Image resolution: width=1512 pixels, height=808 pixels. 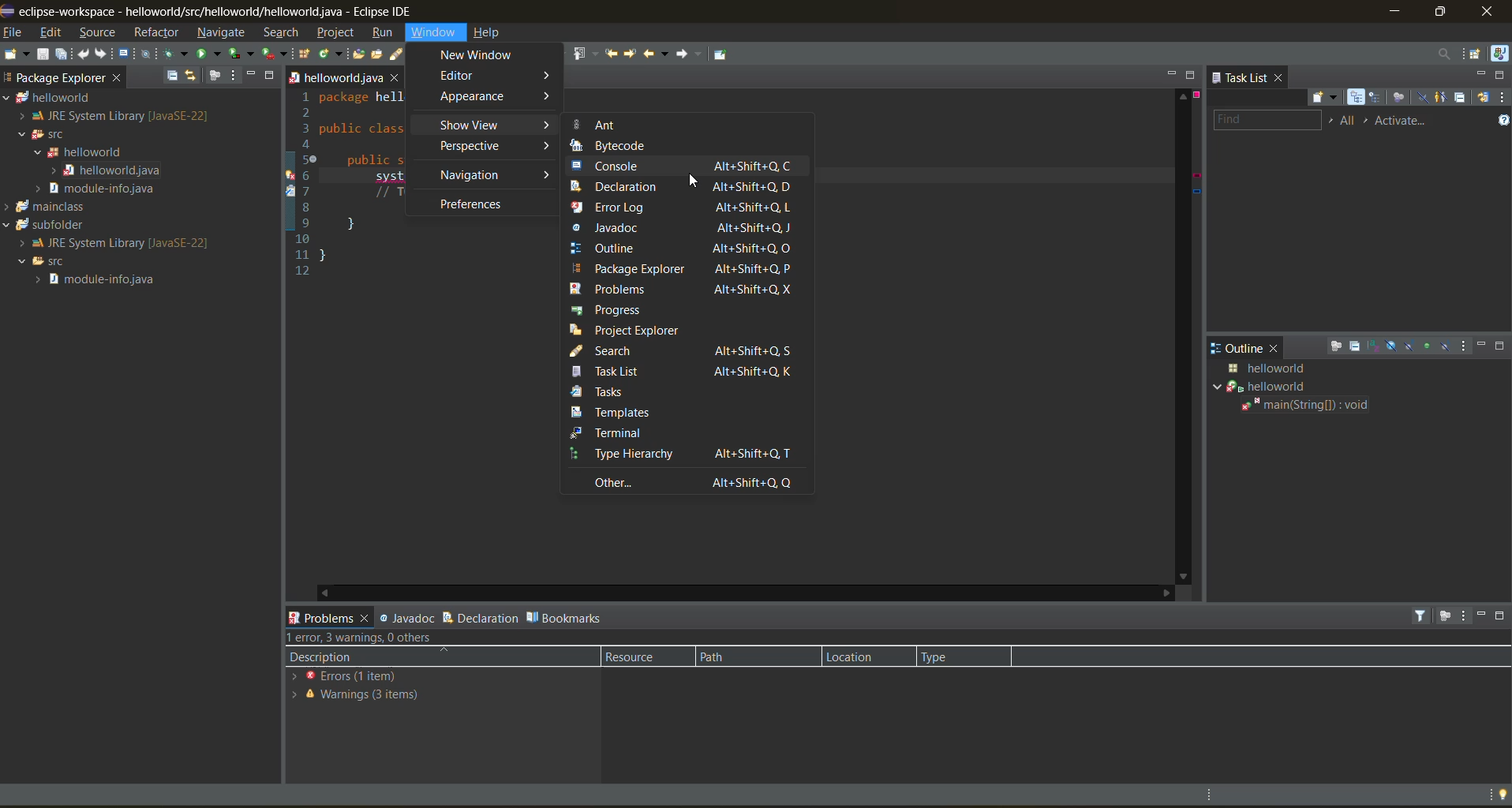 I want to click on package explorer, so click(x=53, y=78).